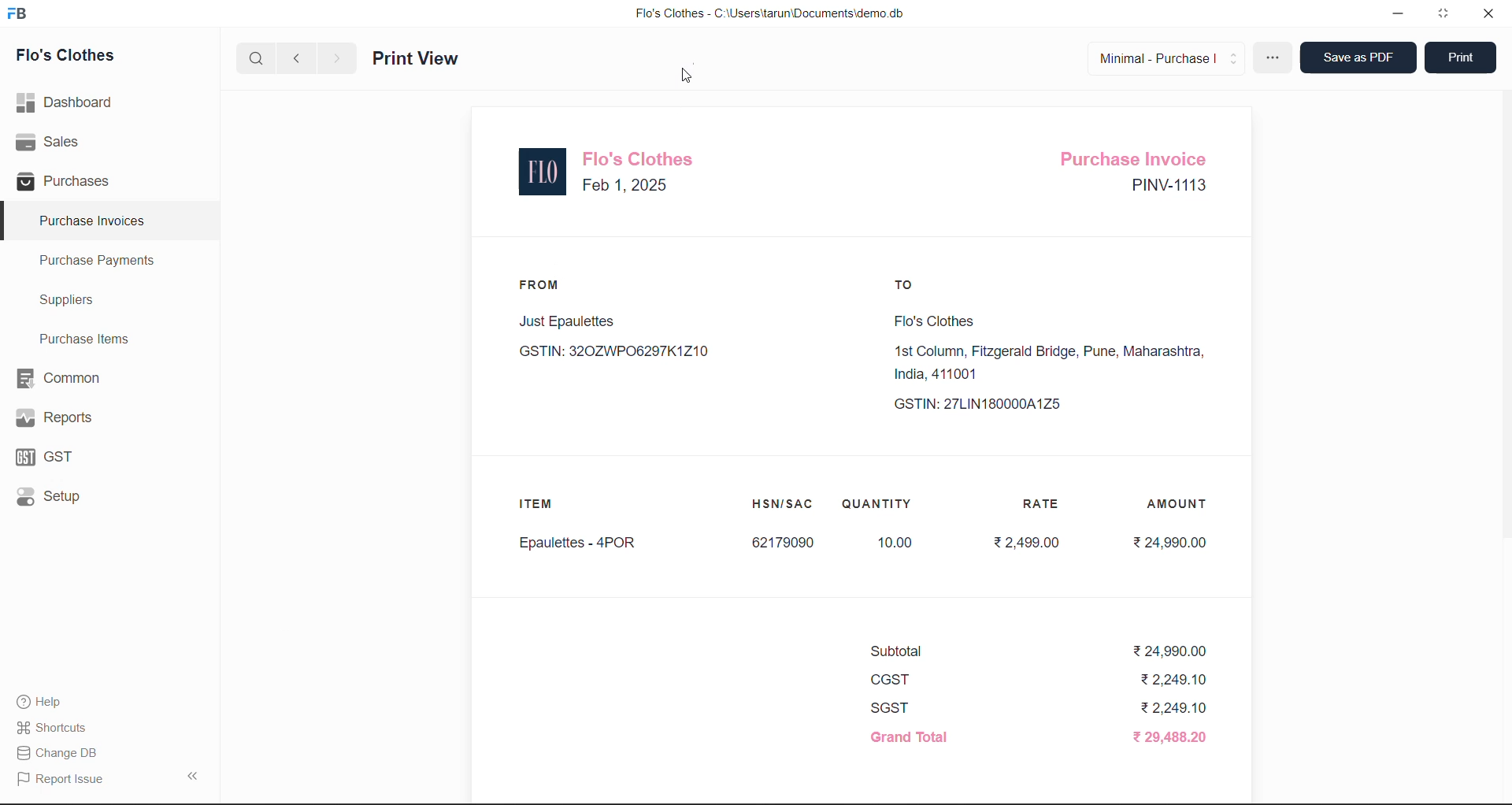 The width and height of the screenshot is (1512, 805). What do you see at coordinates (57, 726) in the screenshot?
I see `Shortcuts.` at bounding box center [57, 726].